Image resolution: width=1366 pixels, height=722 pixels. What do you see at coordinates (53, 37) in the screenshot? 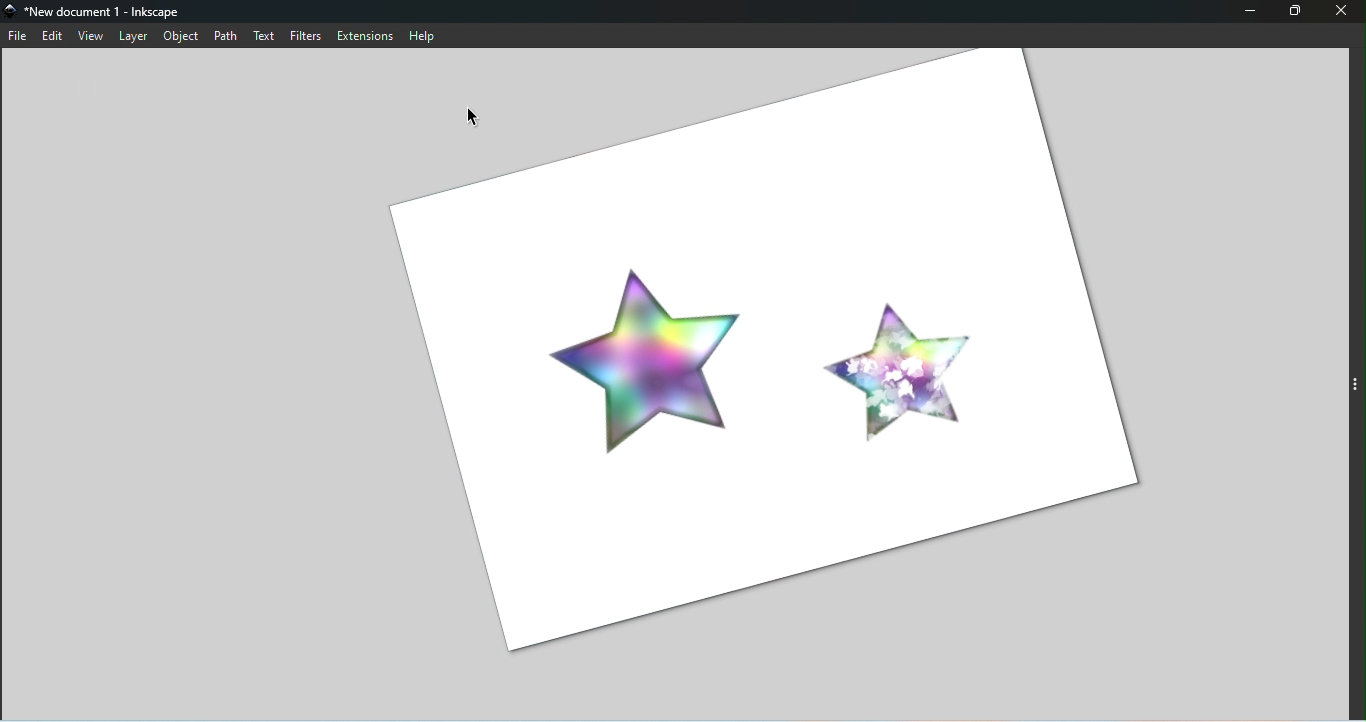
I see `Edit` at bounding box center [53, 37].